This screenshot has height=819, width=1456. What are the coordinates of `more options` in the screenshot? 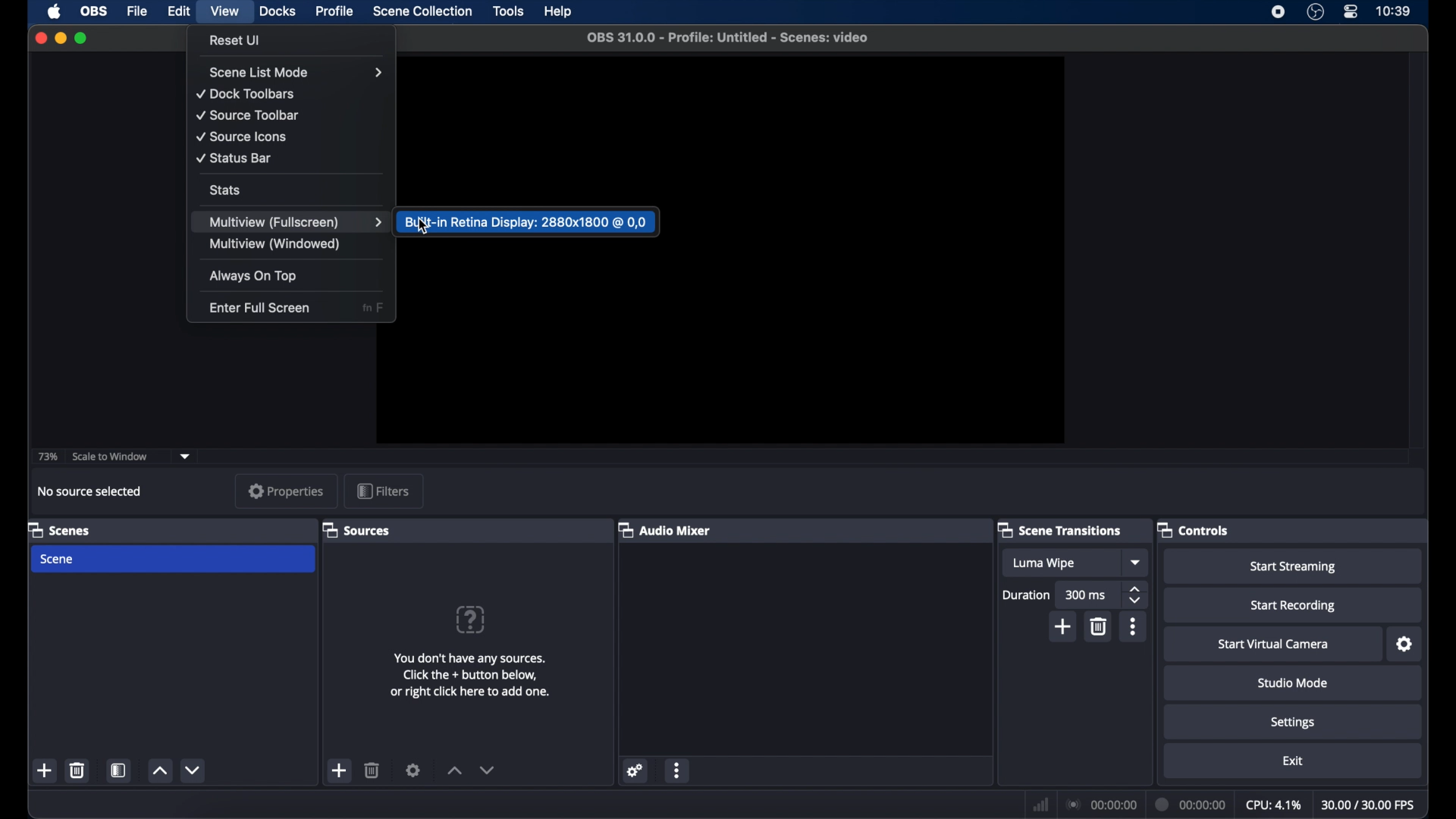 It's located at (678, 770).